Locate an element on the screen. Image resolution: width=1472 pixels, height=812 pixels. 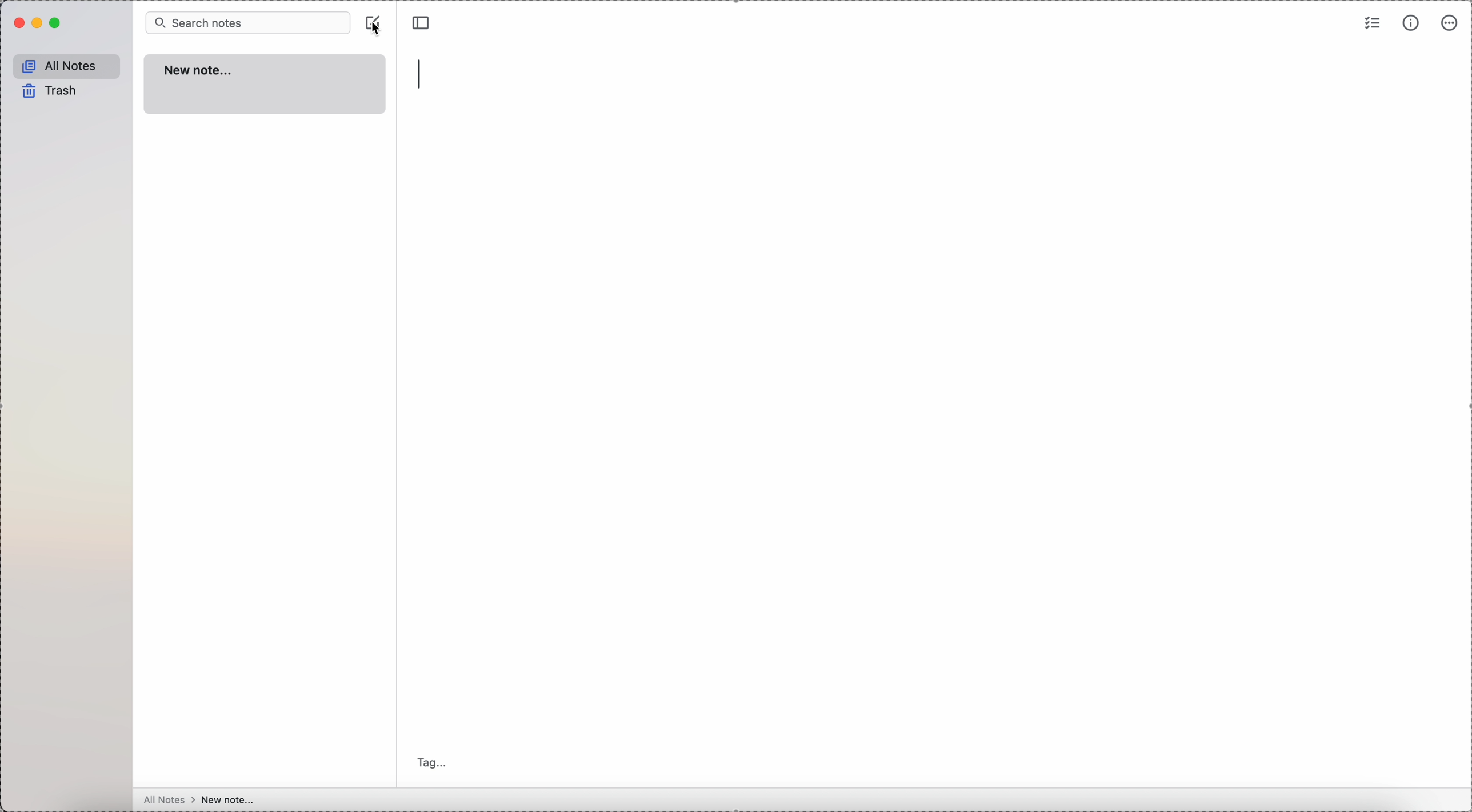
close Simplenote is located at coordinates (18, 23).